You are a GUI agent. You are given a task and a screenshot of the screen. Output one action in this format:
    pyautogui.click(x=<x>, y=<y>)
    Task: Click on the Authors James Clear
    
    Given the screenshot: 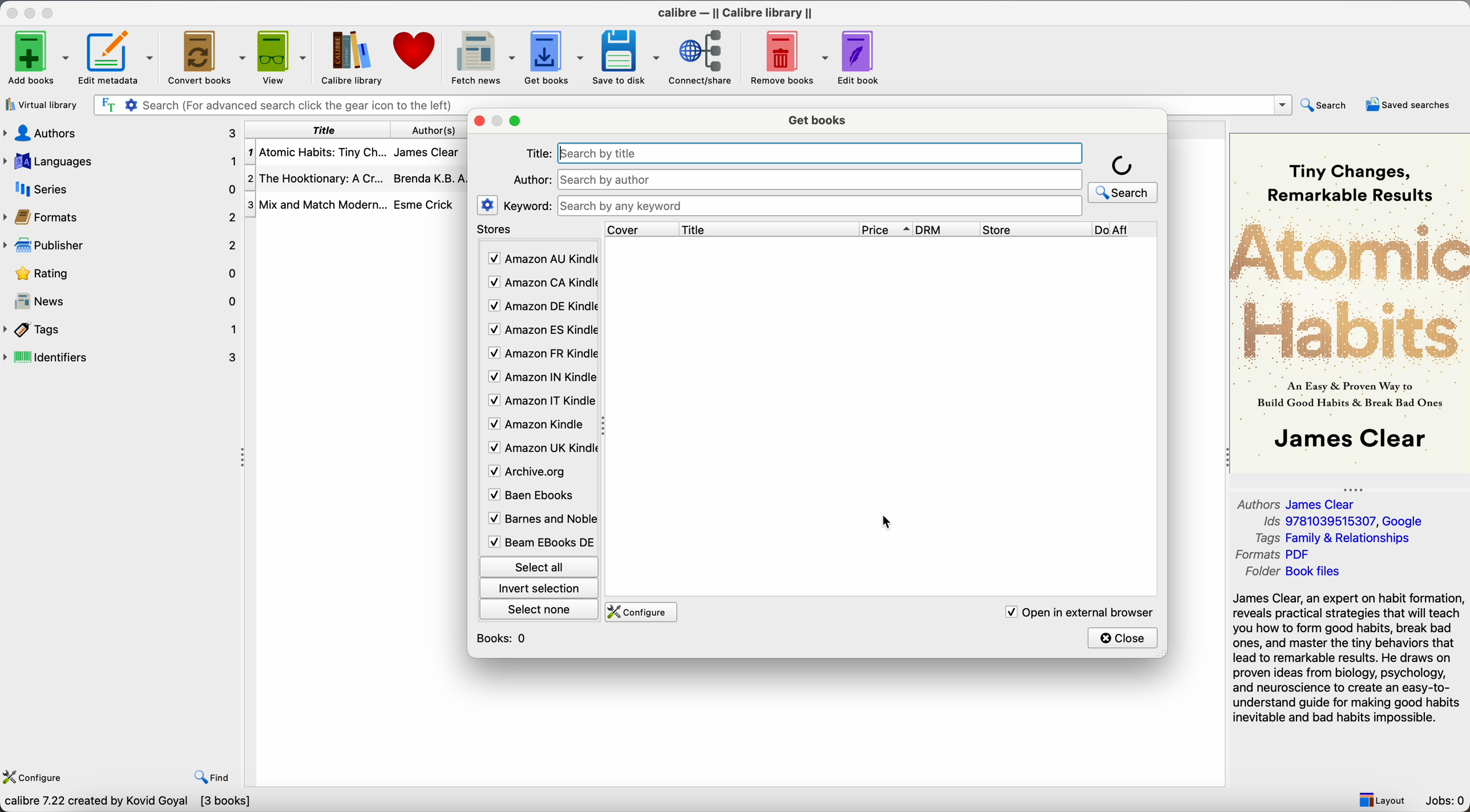 What is the action you would take?
    pyautogui.click(x=1298, y=503)
    